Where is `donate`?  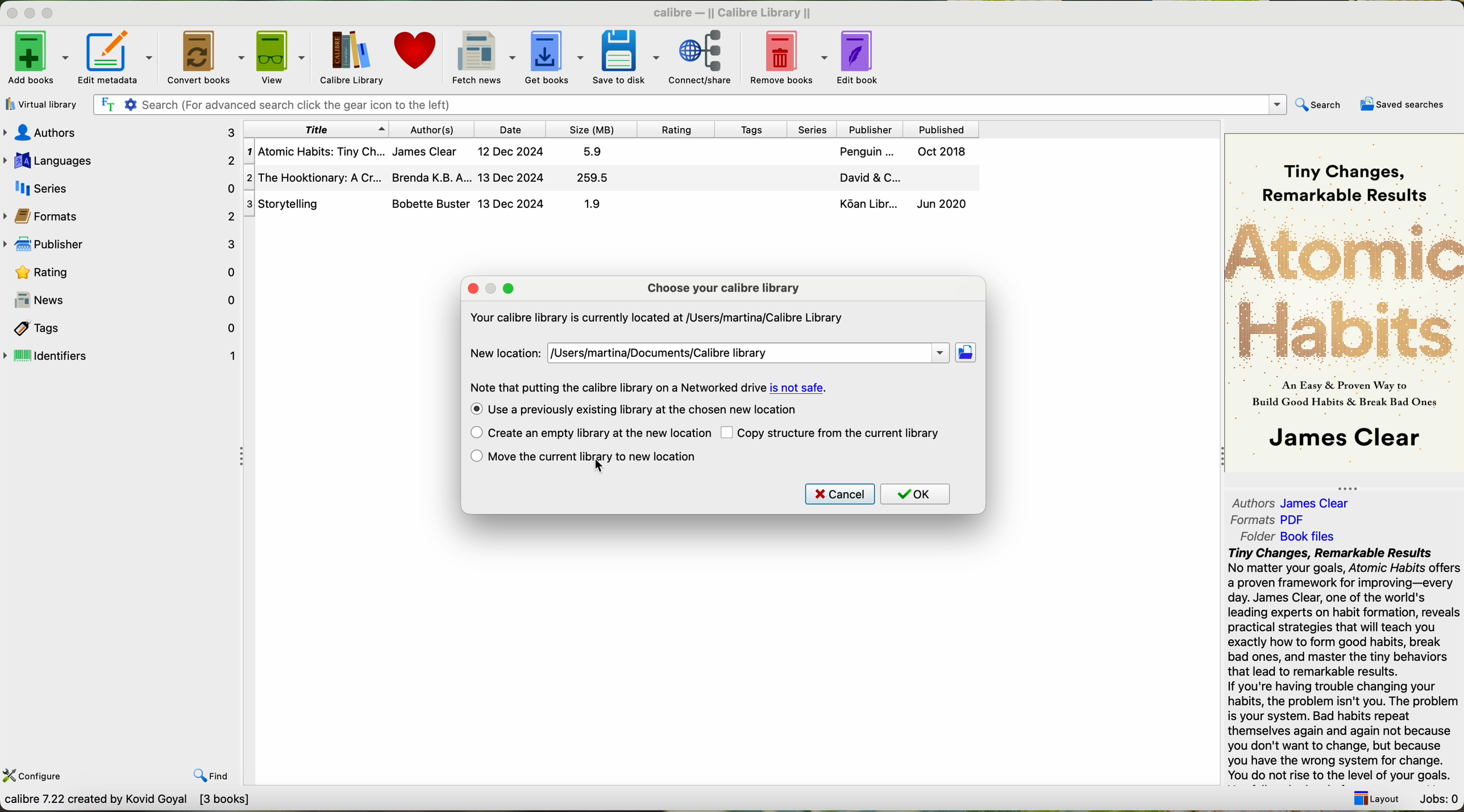
donate is located at coordinates (414, 53).